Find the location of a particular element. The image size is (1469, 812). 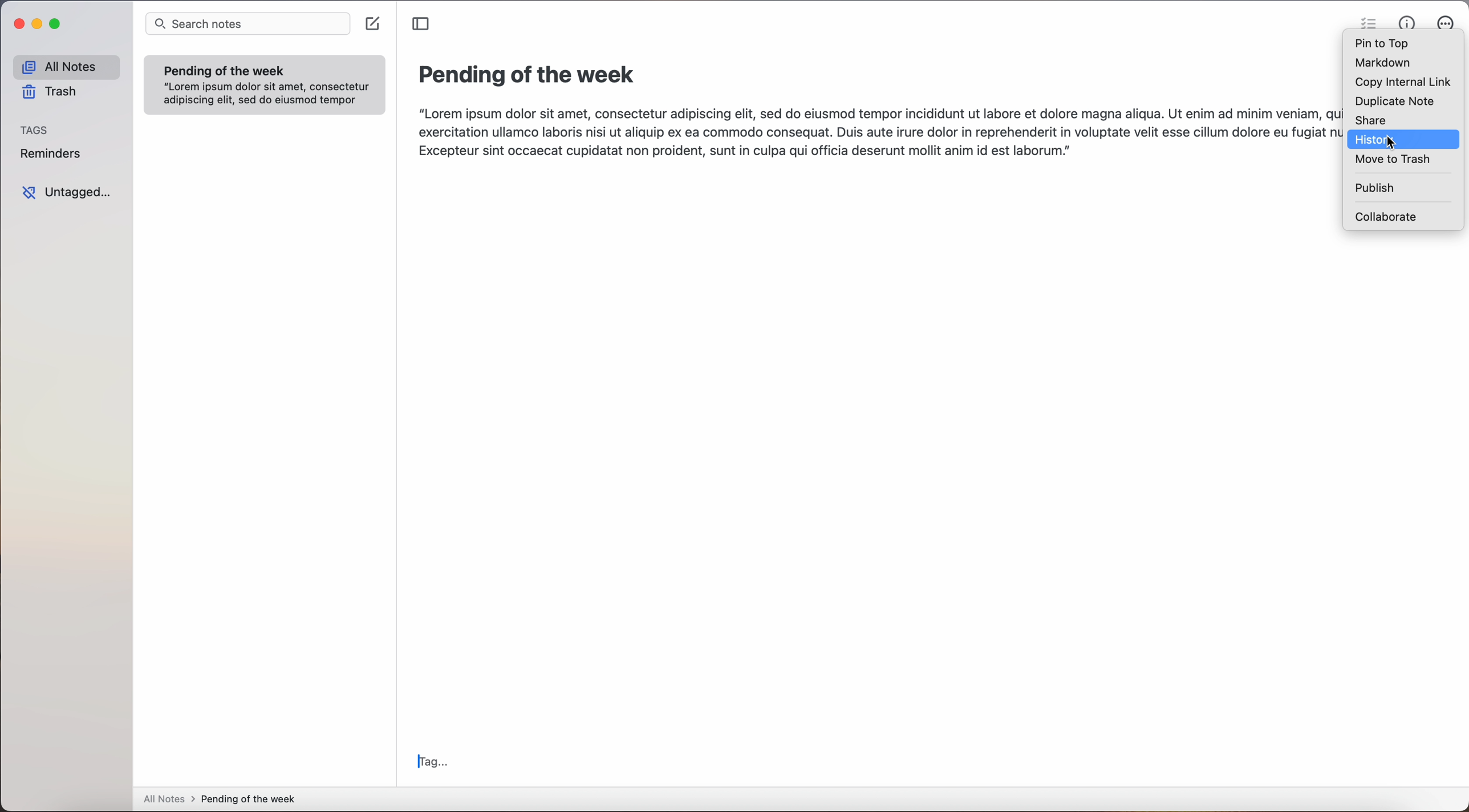

note Pending of the week is located at coordinates (265, 84).